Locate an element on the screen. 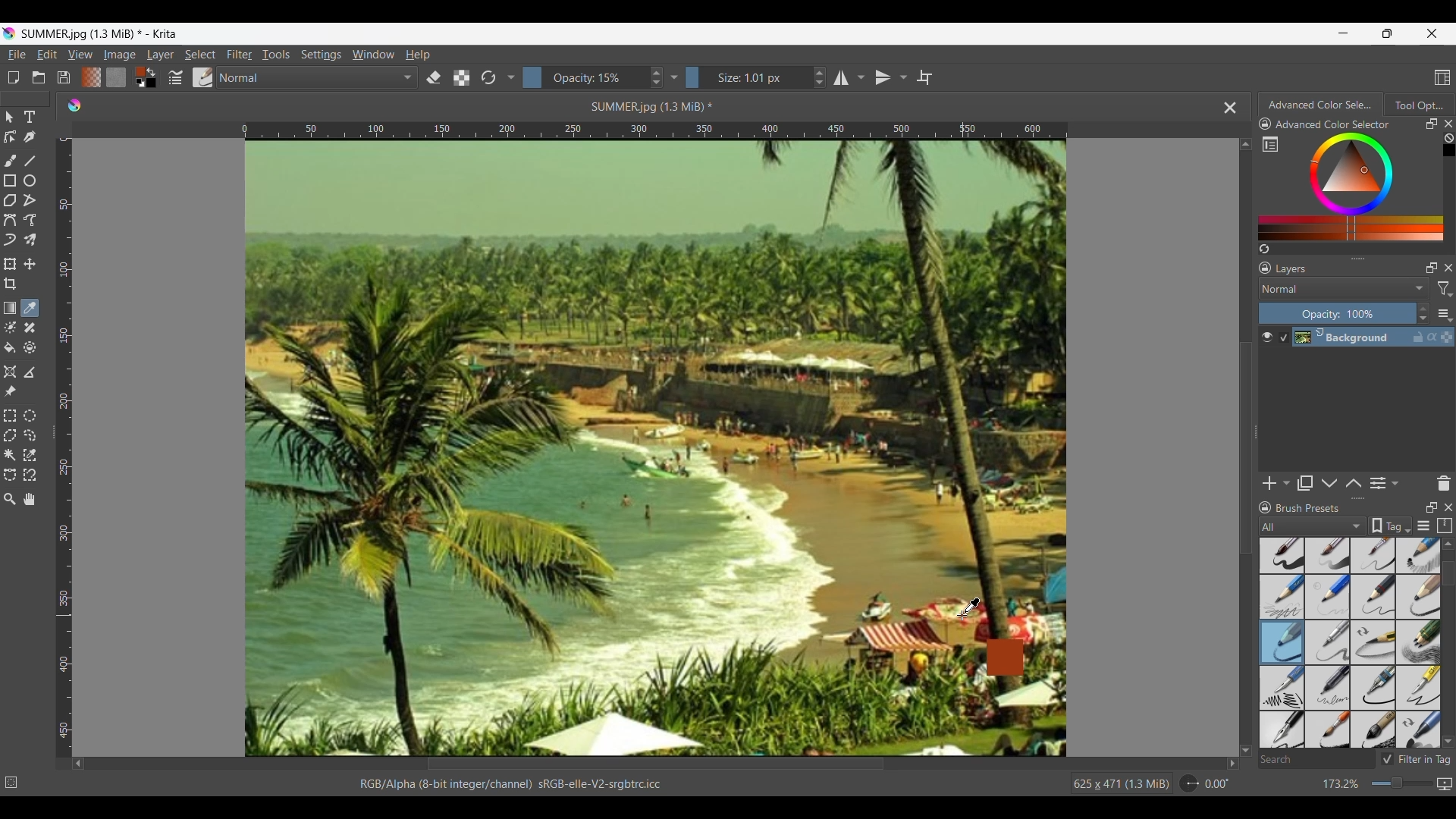 Image resolution: width=1456 pixels, height=819 pixels. Transform a layer or selection  is located at coordinates (9, 264).